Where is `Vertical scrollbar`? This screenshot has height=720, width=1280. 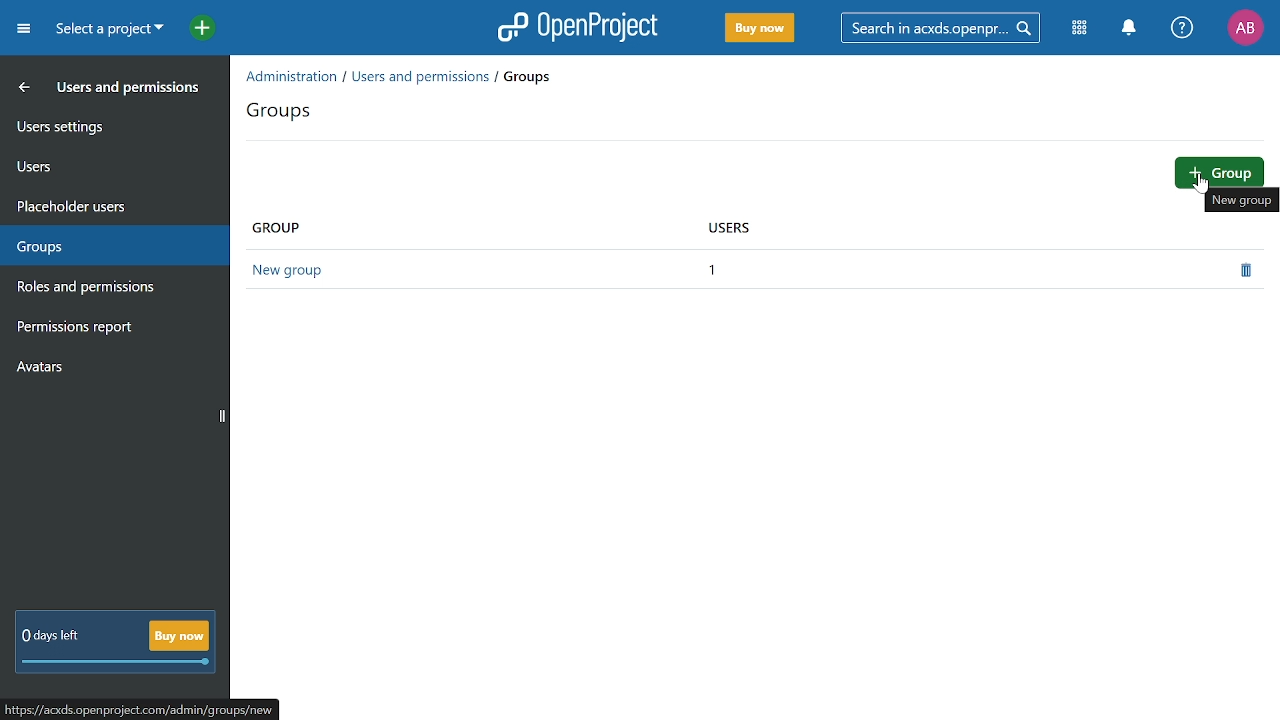
Vertical scrollbar is located at coordinates (222, 417).